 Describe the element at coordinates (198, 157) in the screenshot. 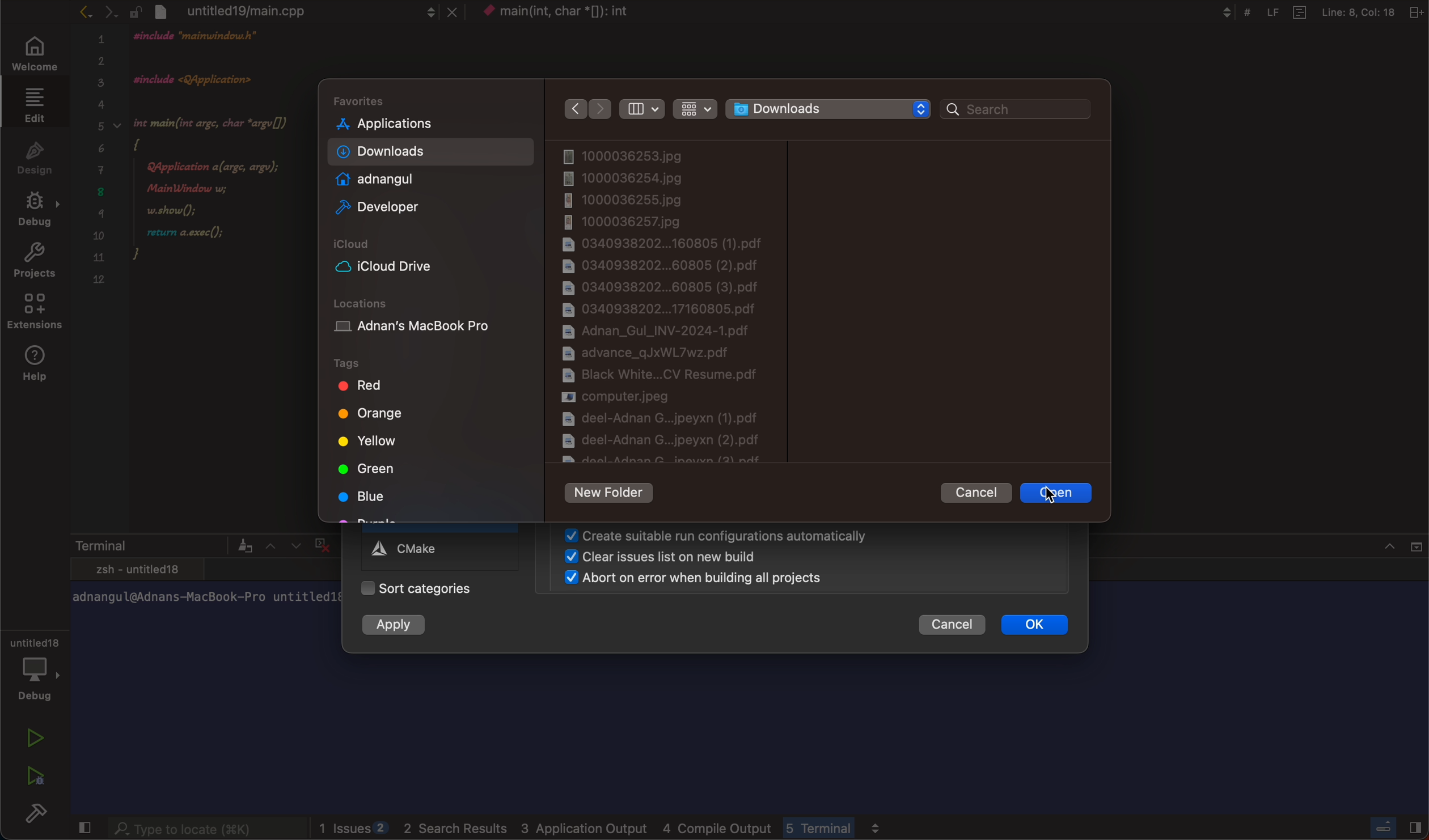

I see `code` at that location.